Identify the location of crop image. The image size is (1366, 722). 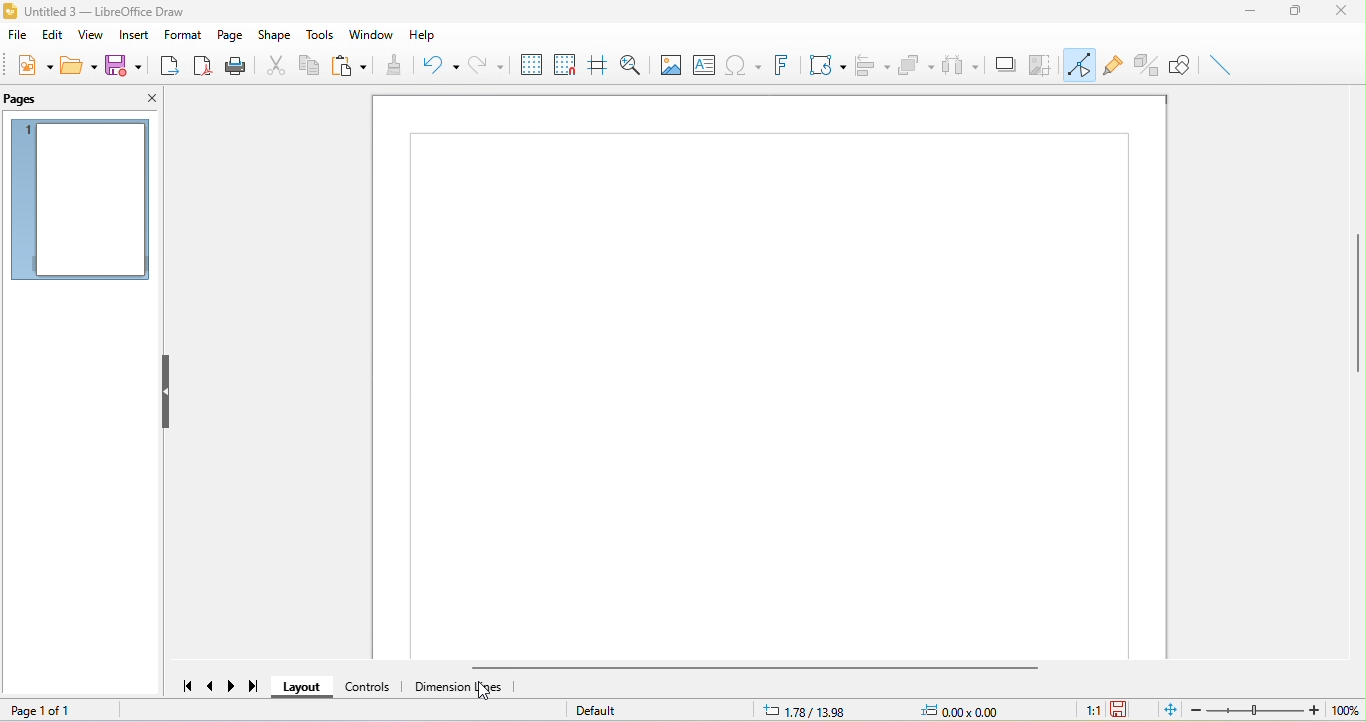
(1042, 64).